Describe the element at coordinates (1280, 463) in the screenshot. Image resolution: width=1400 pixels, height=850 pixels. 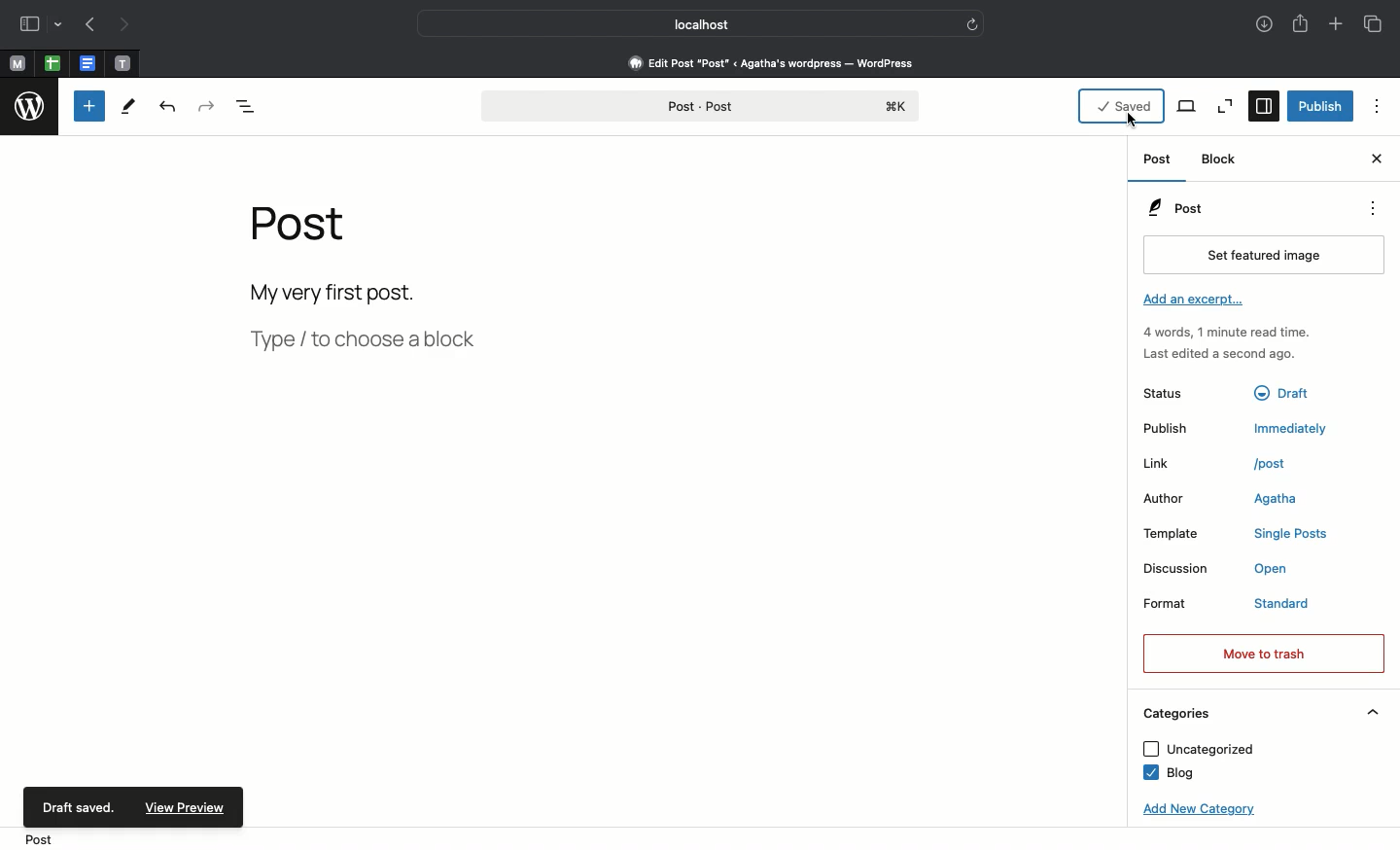
I see `/post` at that location.